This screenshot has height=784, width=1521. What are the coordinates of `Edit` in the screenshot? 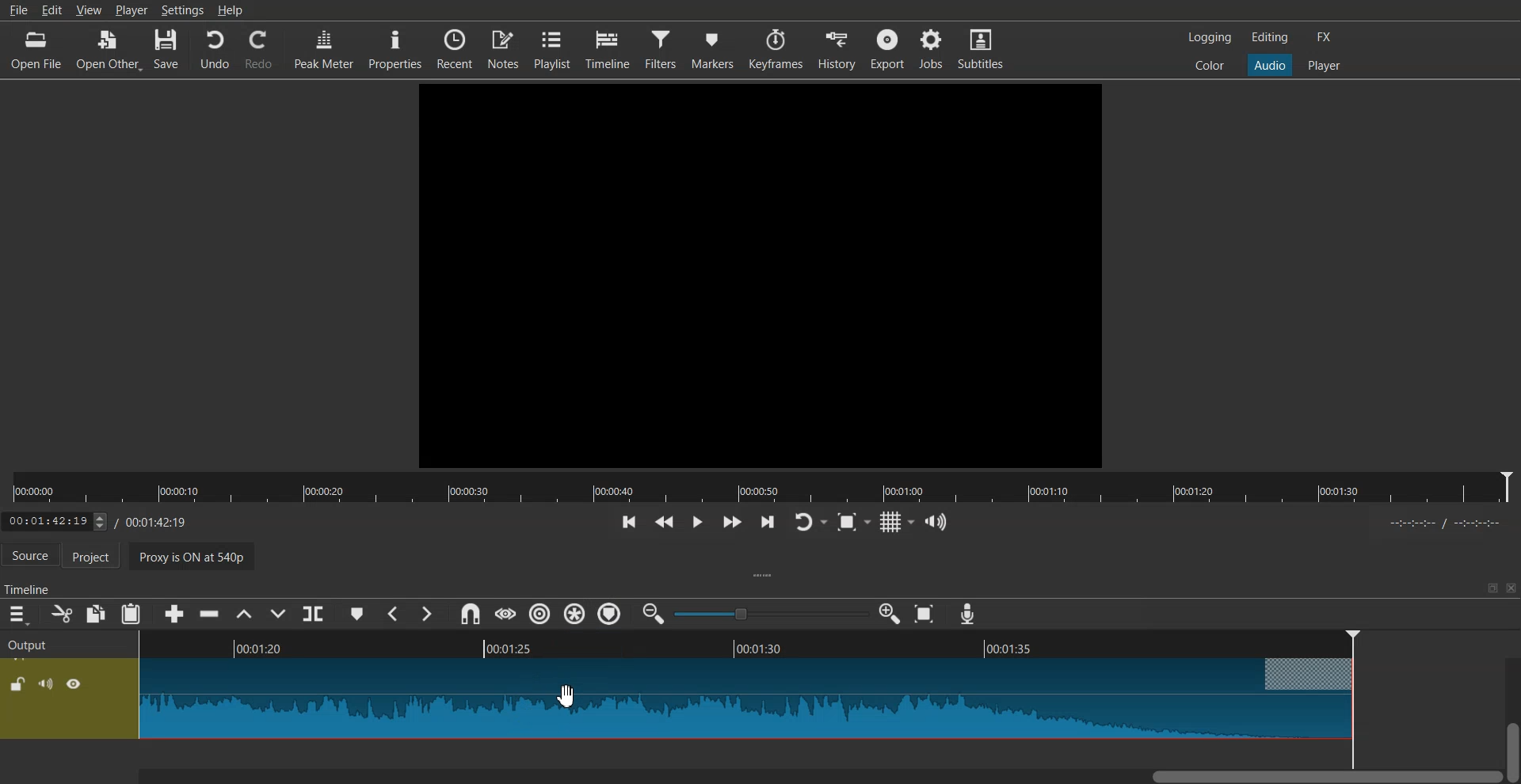 It's located at (52, 11).